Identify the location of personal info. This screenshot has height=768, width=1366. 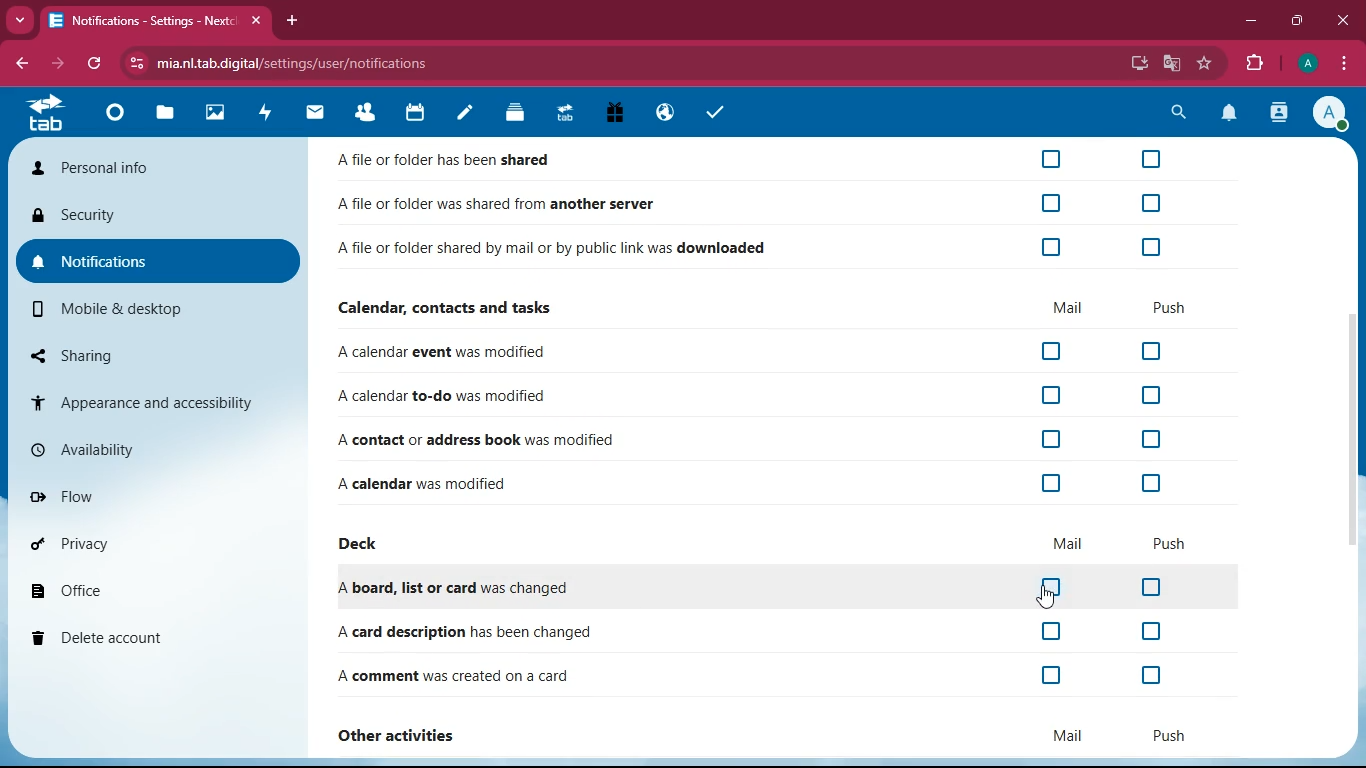
(158, 167).